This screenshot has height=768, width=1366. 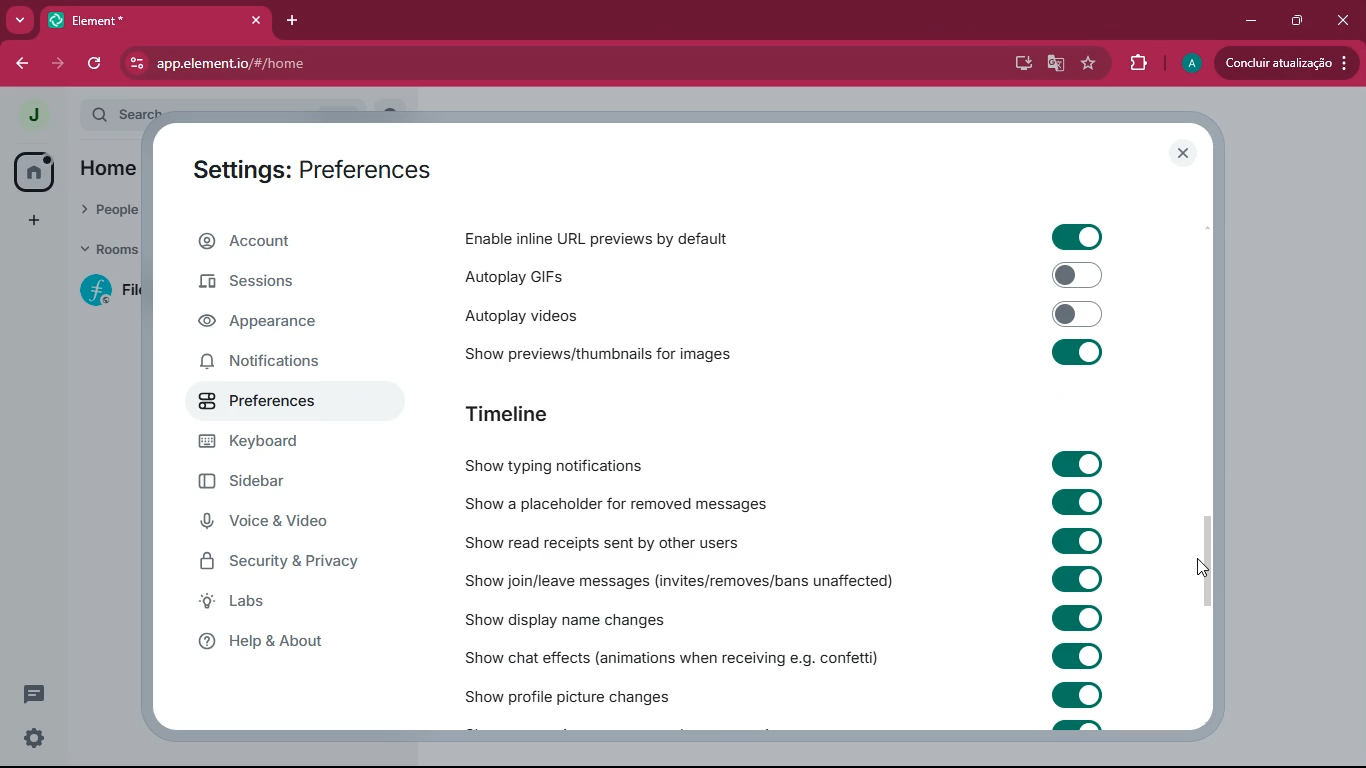 What do you see at coordinates (599, 274) in the screenshot?
I see `autoplay GIFs` at bounding box center [599, 274].